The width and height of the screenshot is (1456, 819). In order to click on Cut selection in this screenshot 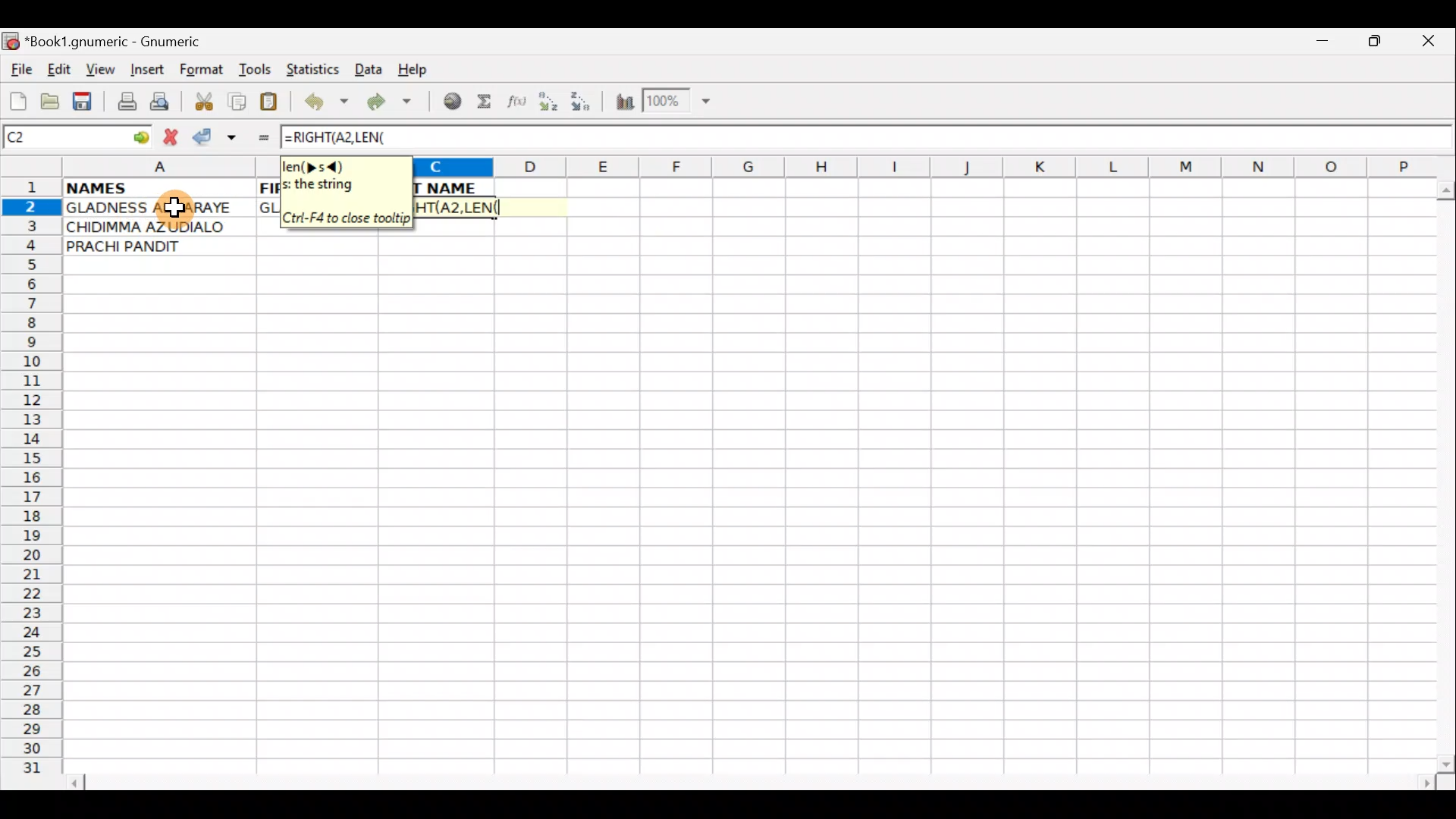, I will do `click(203, 99)`.